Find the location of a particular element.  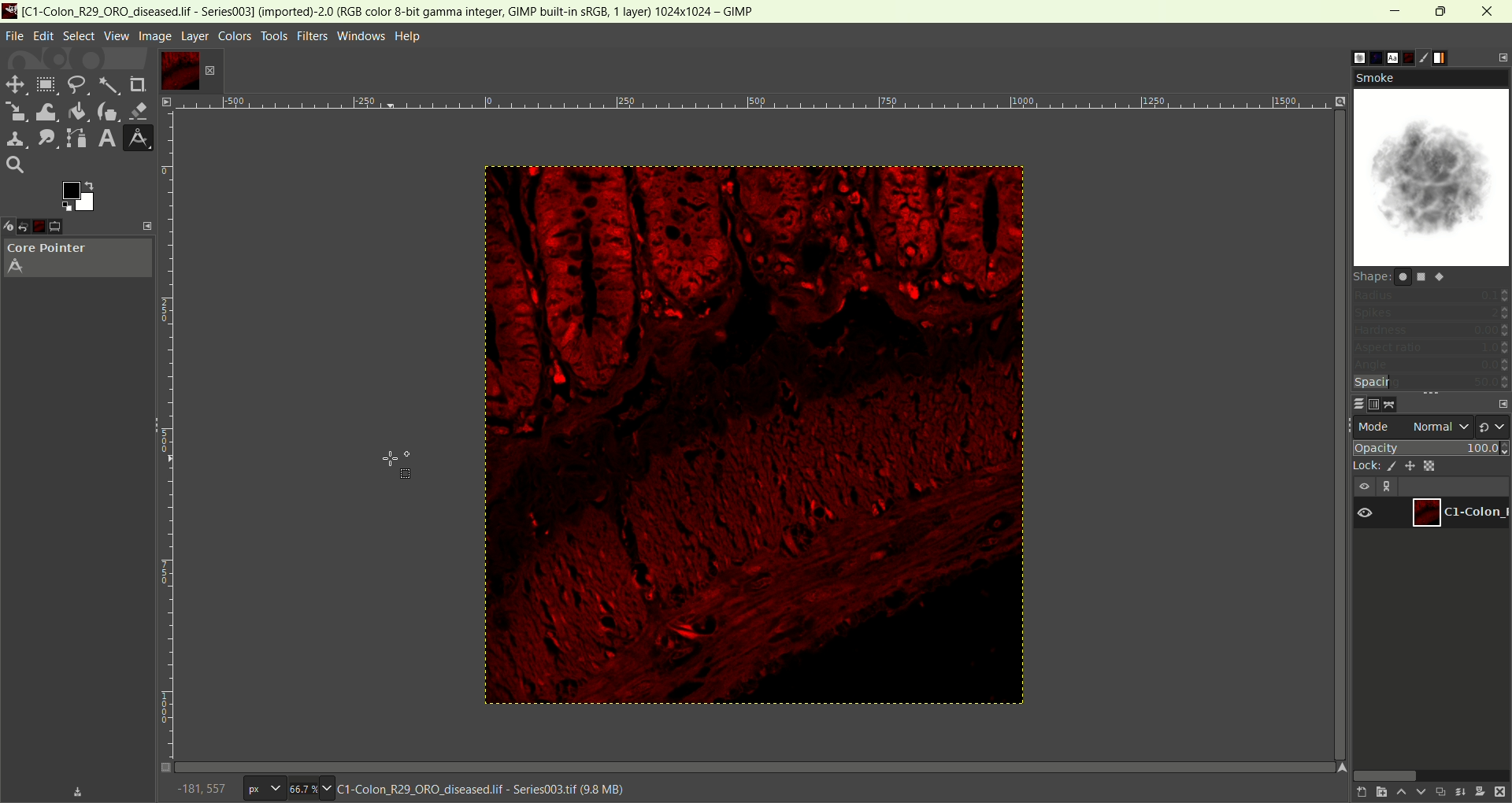

tool option is located at coordinates (68, 227).